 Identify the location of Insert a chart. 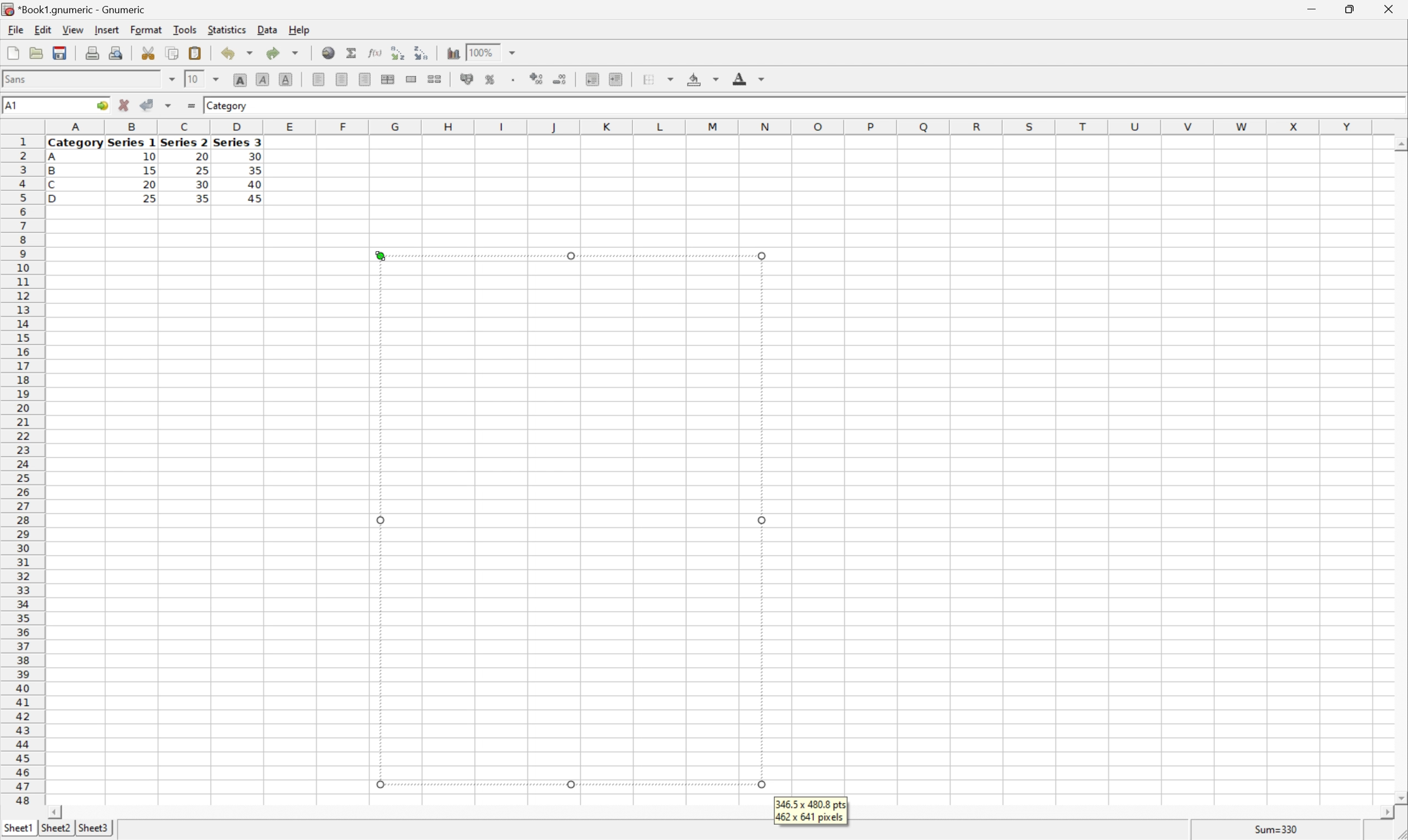
(452, 54).